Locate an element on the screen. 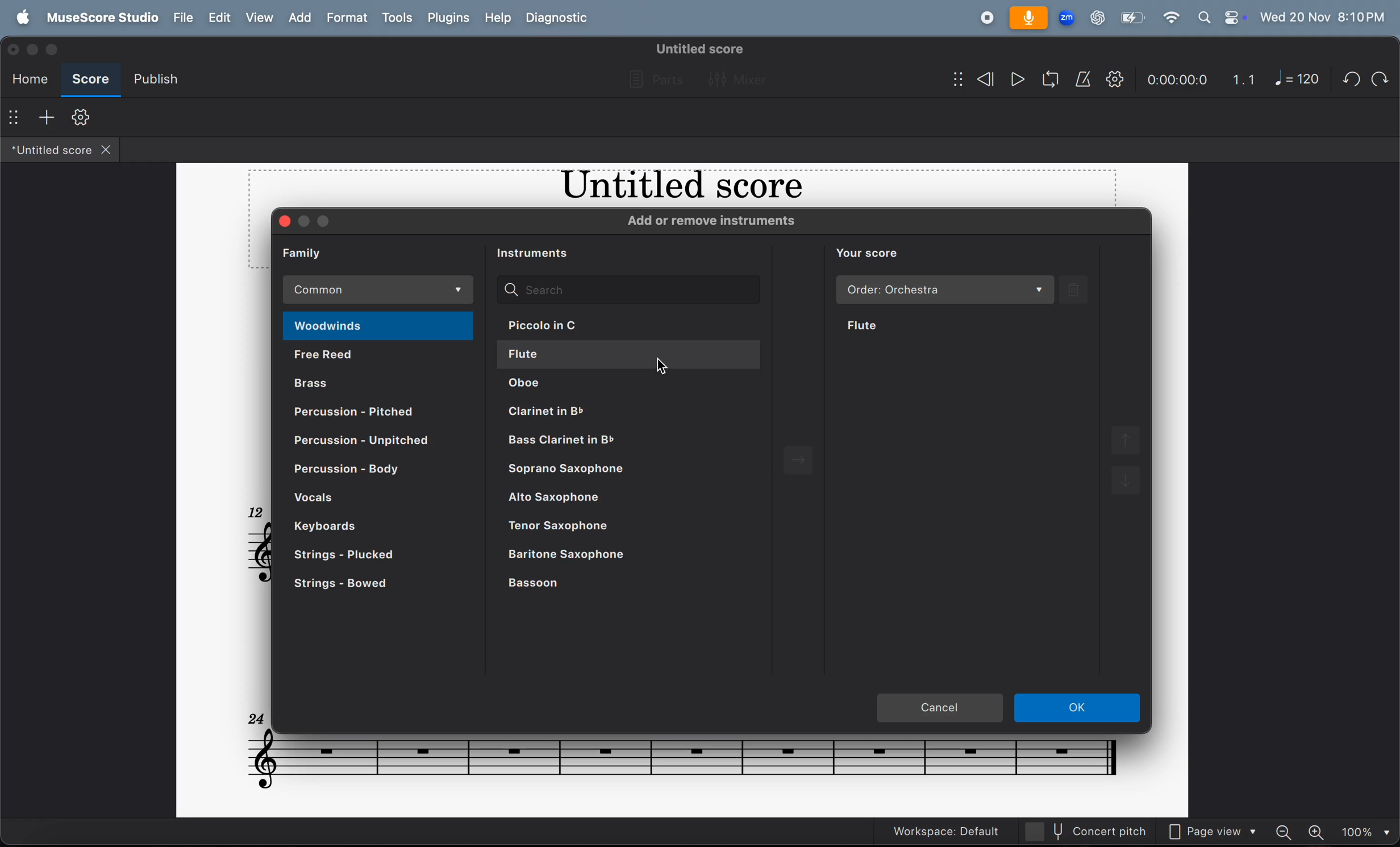 Image resolution: width=1400 pixels, height=847 pixels. flute is located at coordinates (630, 354).